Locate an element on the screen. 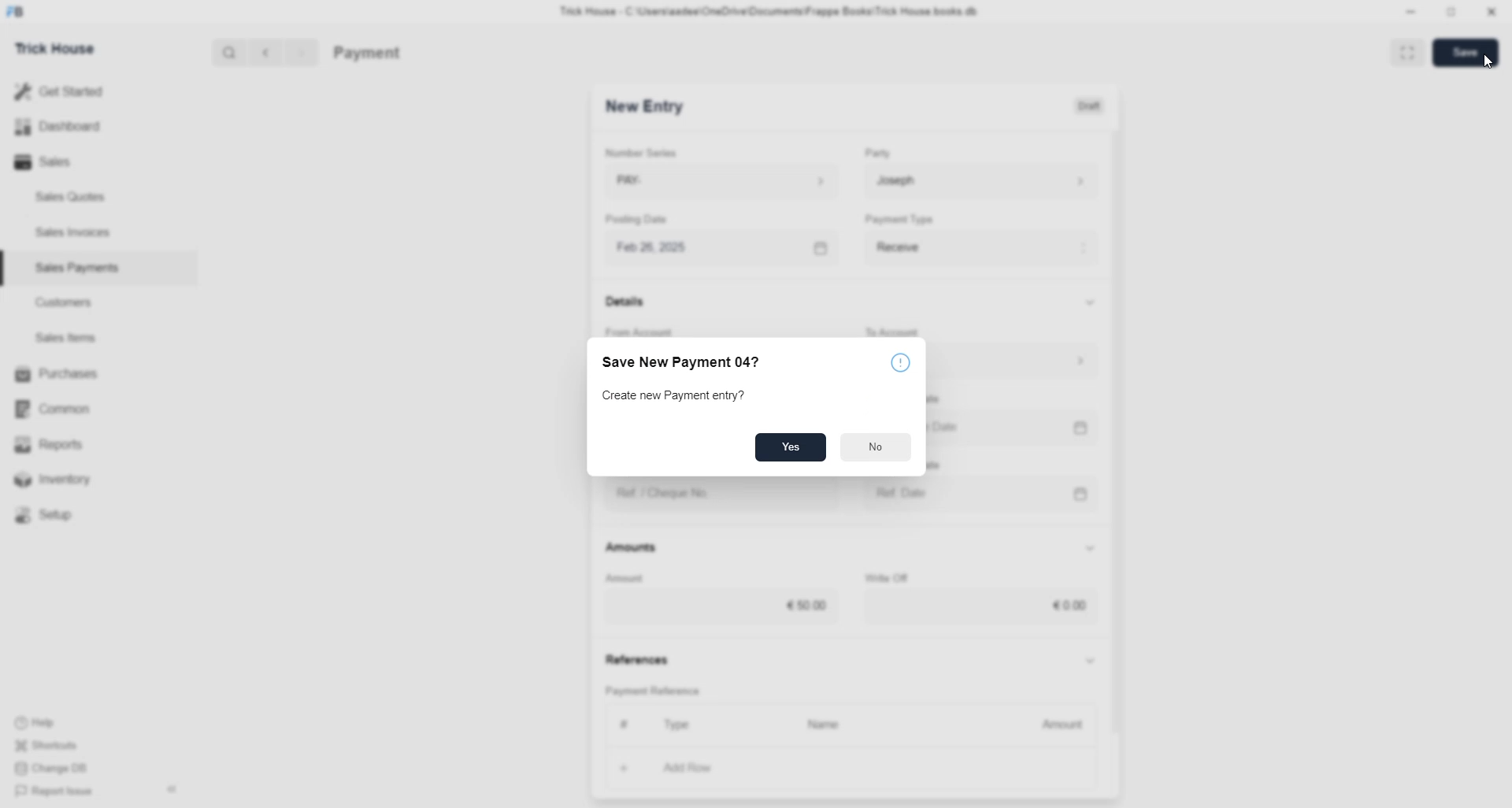 Image resolution: width=1512 pixels, height=808 pixels. info is located at coordinates (900, 361).